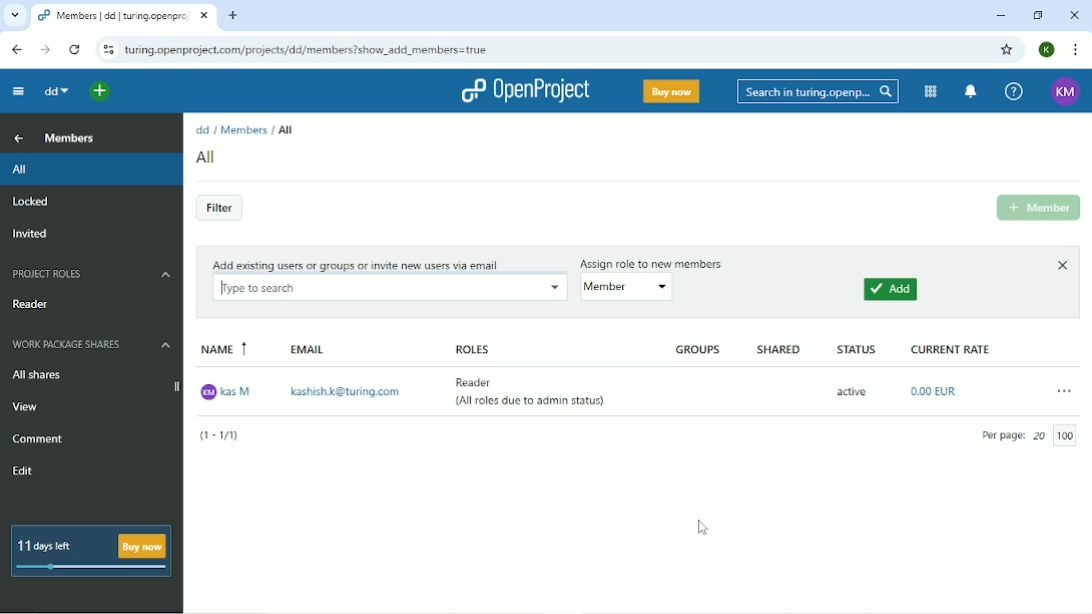  What do you see at coordinates (90, 170) in the screenshot?
I see `All` at bounding box center [90, 170].